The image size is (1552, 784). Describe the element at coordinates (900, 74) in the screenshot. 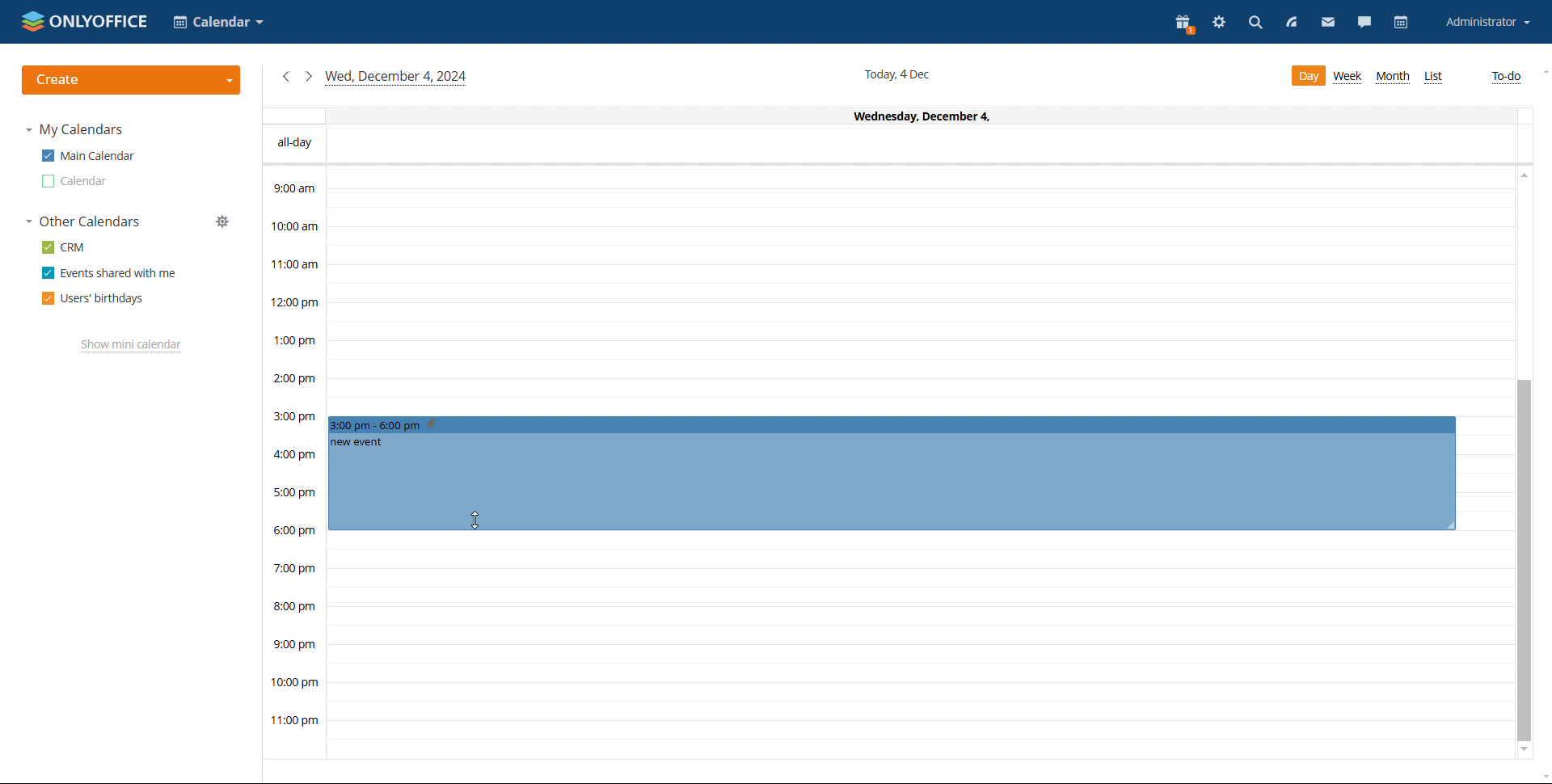

I see `current date` at that location.